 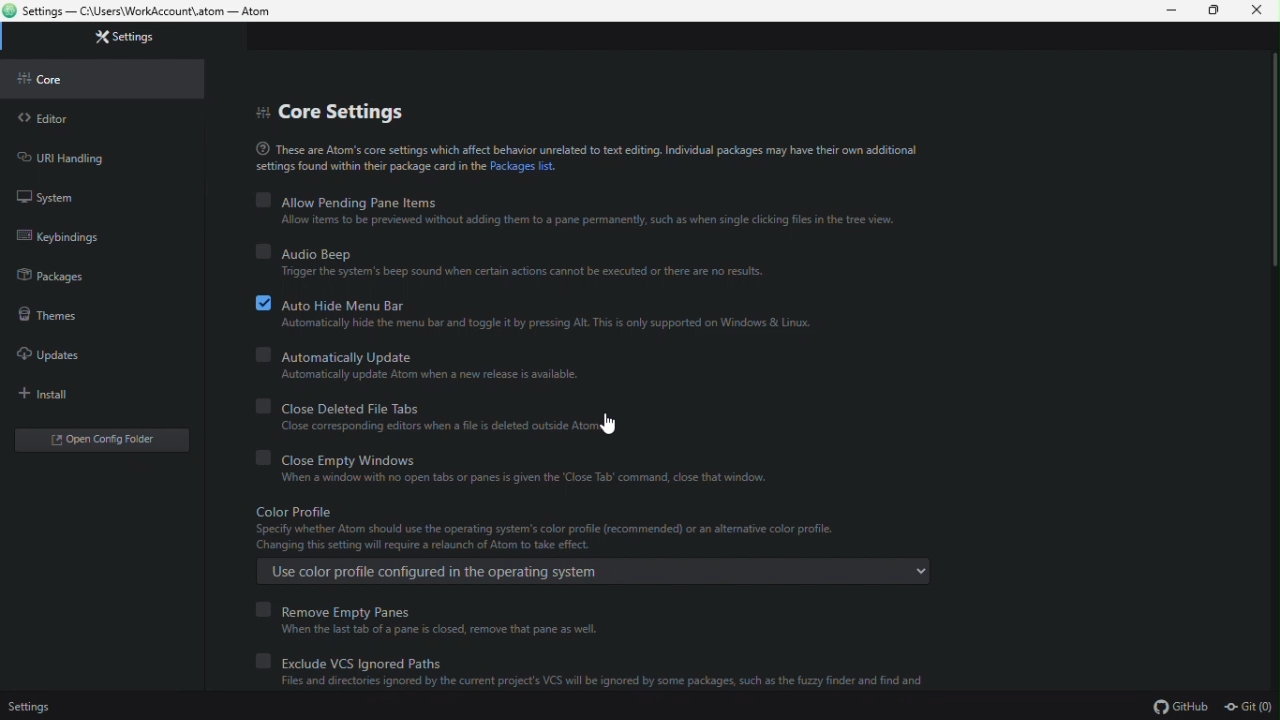 What do you see at coordinates (610, 421) in the screenshot?
I see `cursor` at bounding box center [610, 421].